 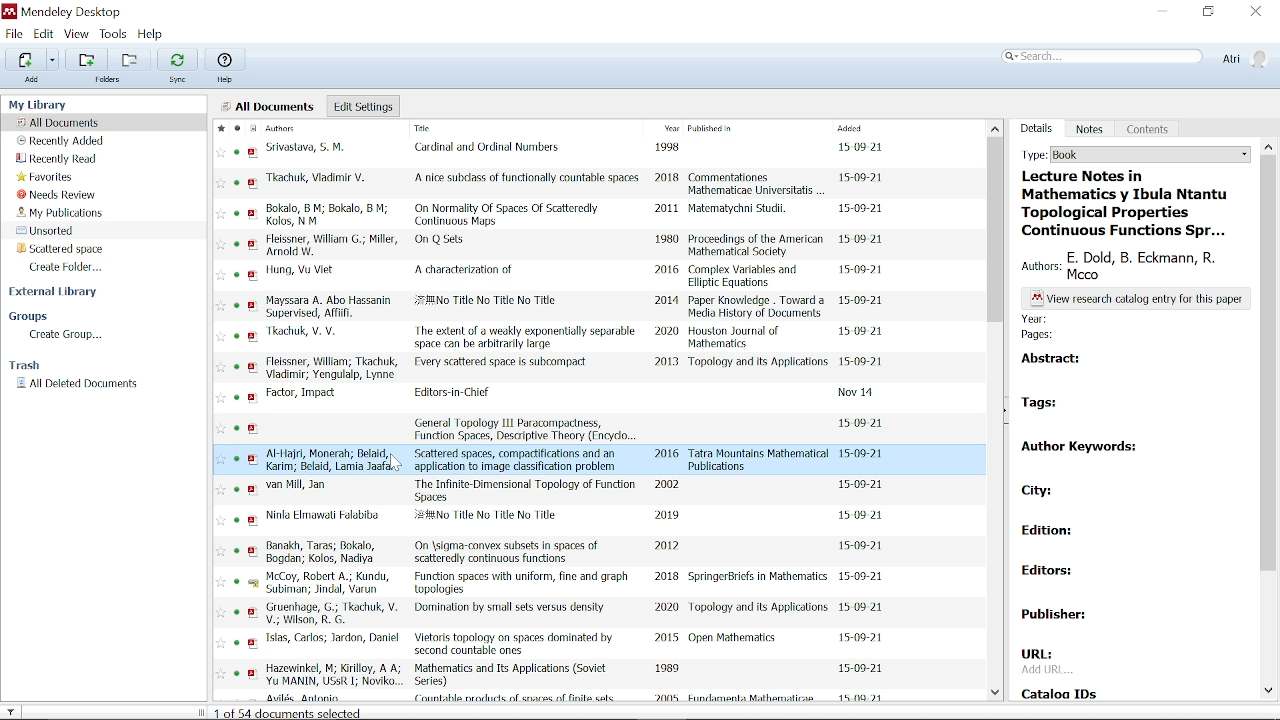 I want to click on Needs review, so click(x=57, y=195).